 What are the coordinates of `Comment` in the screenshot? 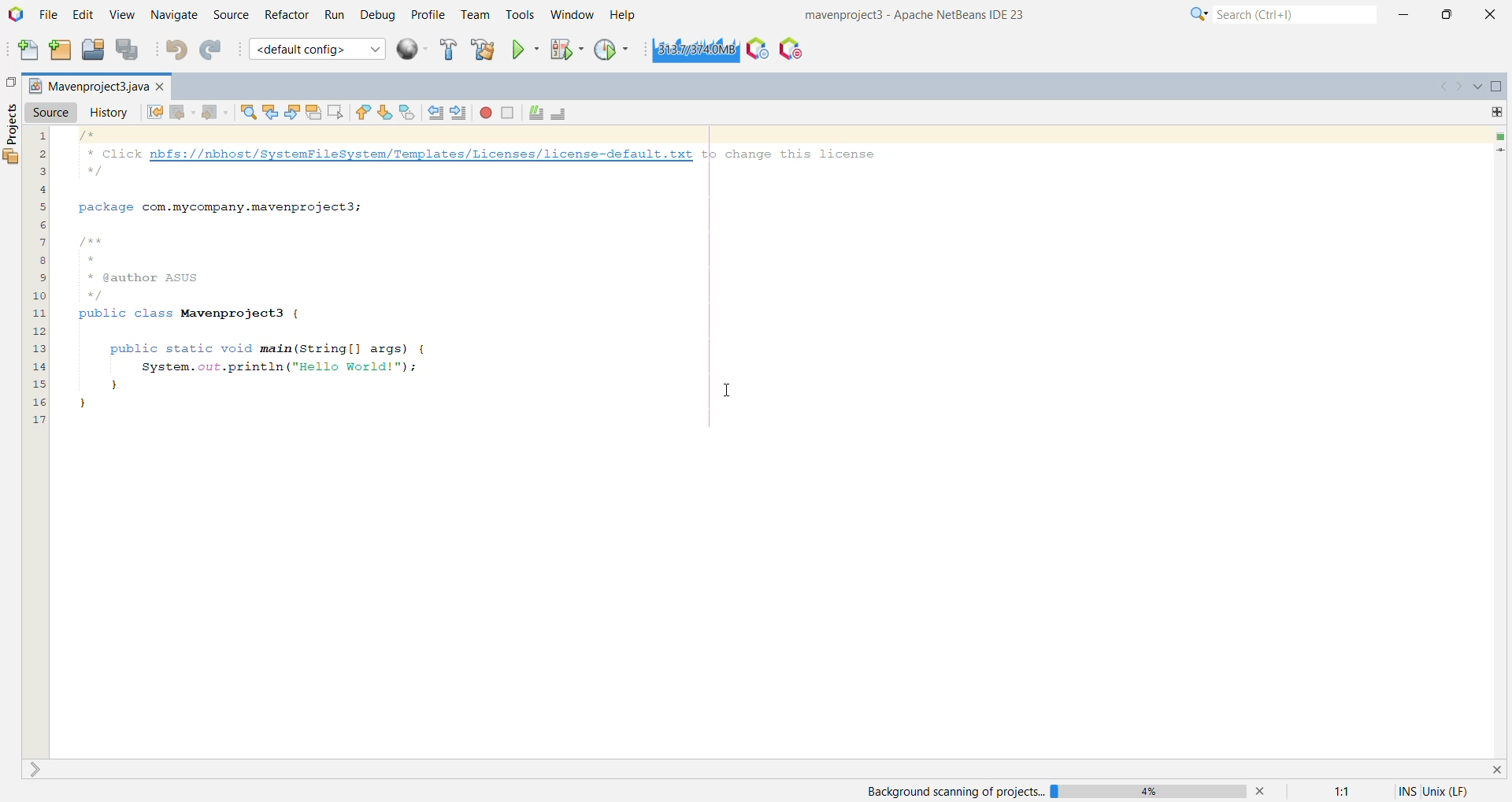 It's located at (535, 113).